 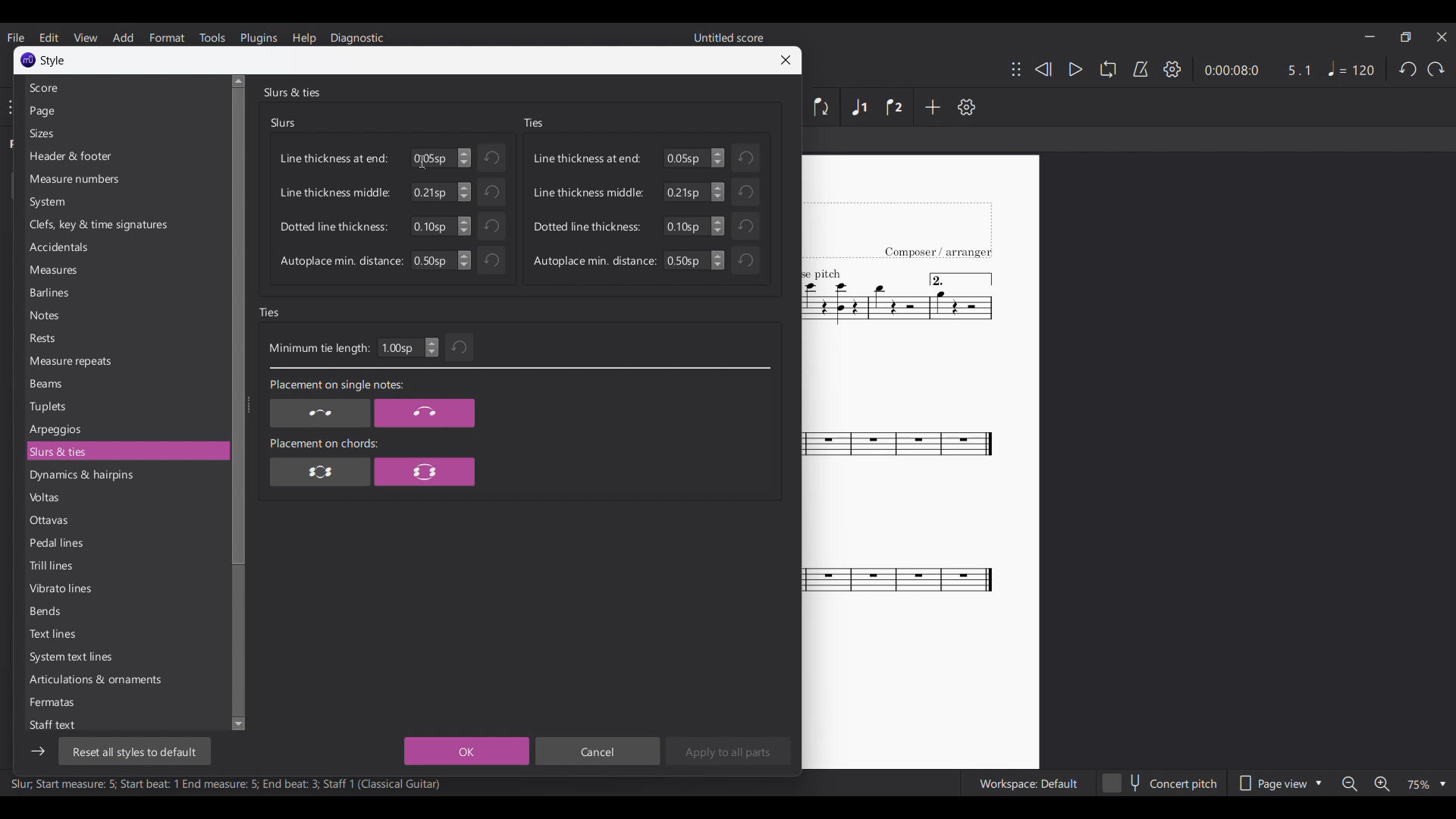 What do you see at coordinates (686, 158) in the screenshot?
I see `Input numbers for line thickness at end` at bounding box center [686, 158].